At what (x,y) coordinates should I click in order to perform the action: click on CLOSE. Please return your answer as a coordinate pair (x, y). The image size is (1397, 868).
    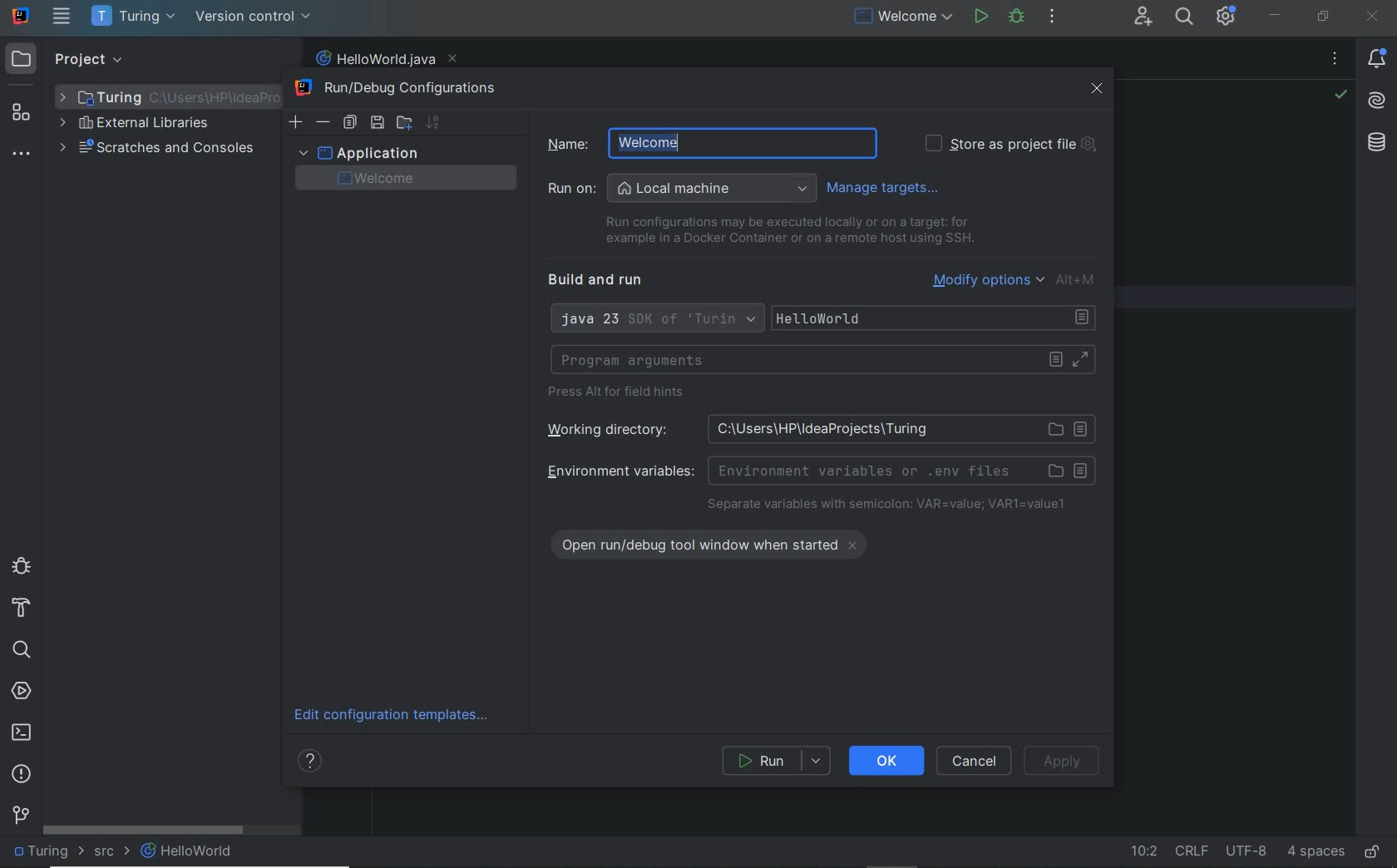
    Looking at the image, I should click on (1098, 89).